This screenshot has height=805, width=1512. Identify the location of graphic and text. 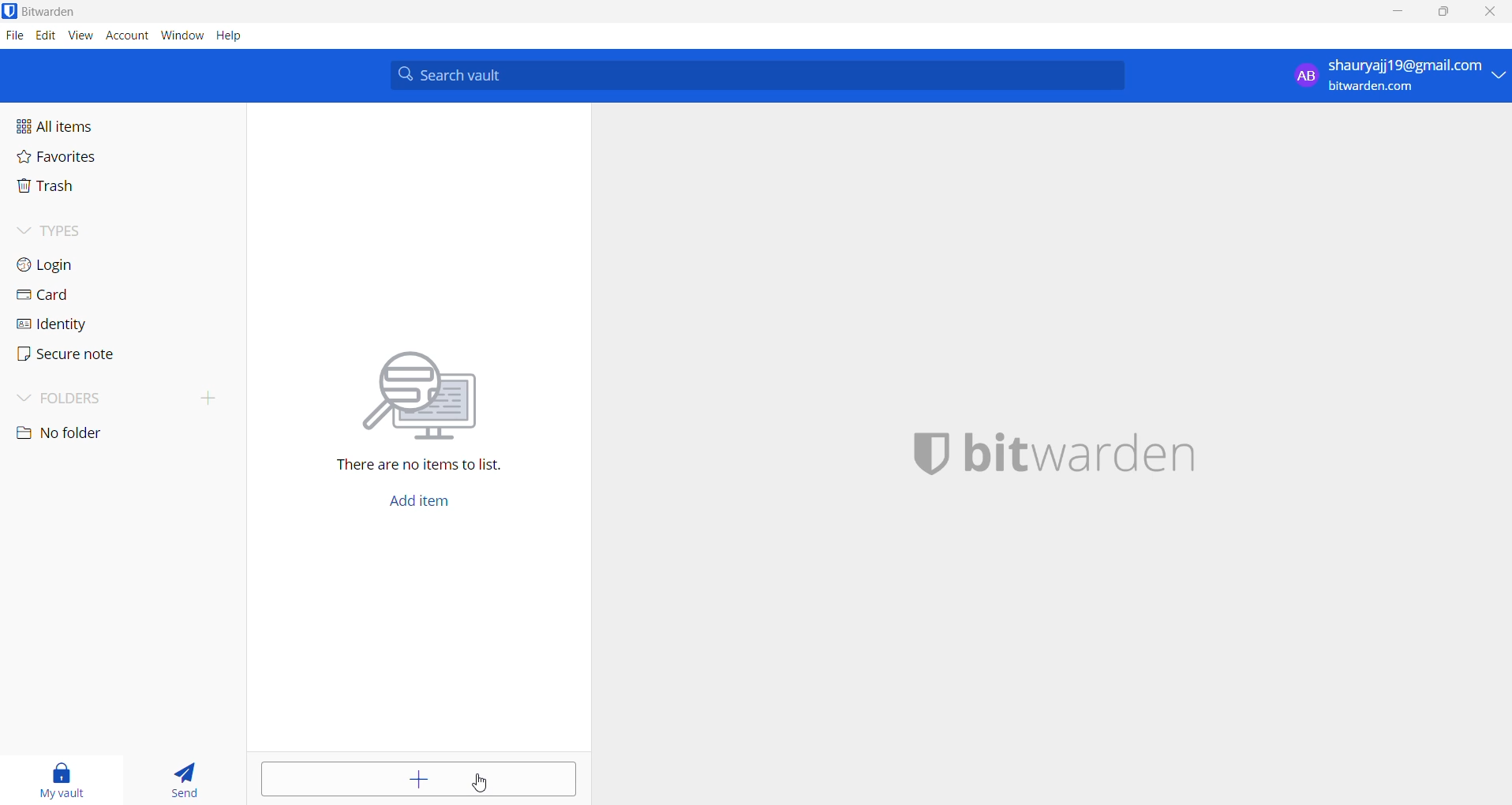
(422, 401).